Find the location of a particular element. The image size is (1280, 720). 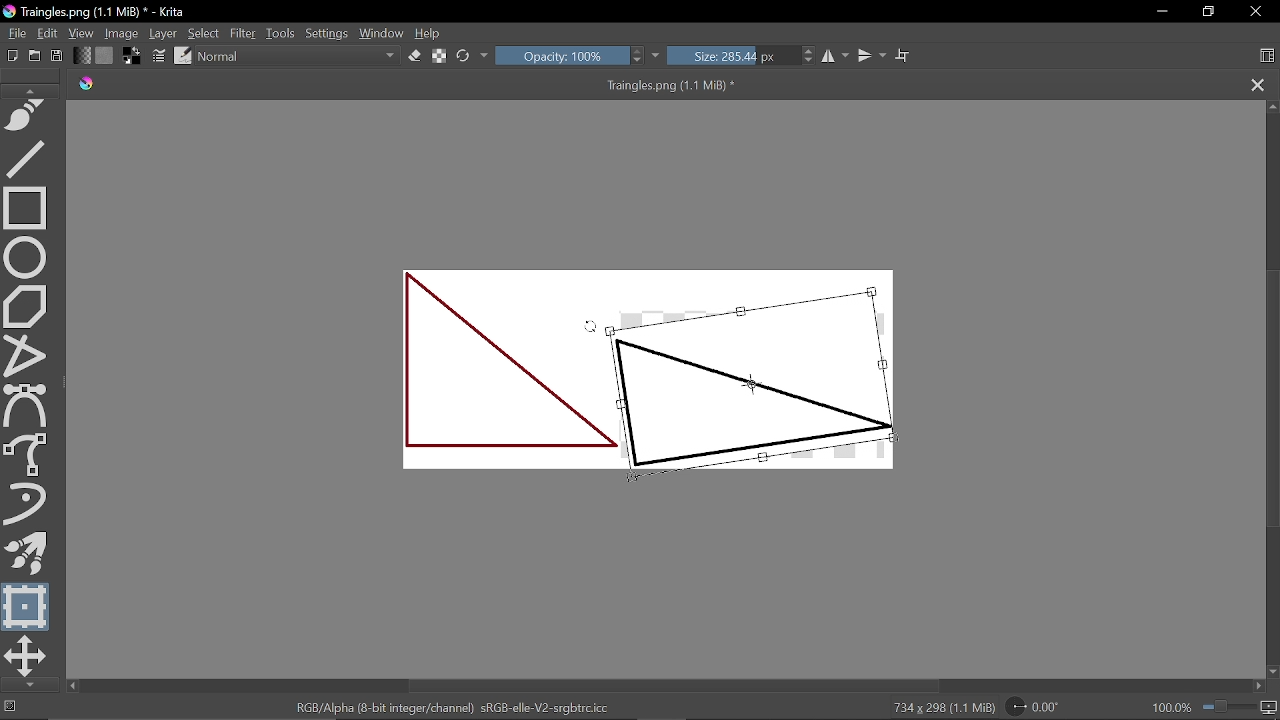

Selected part of the image is located at coordinates (750, 383).